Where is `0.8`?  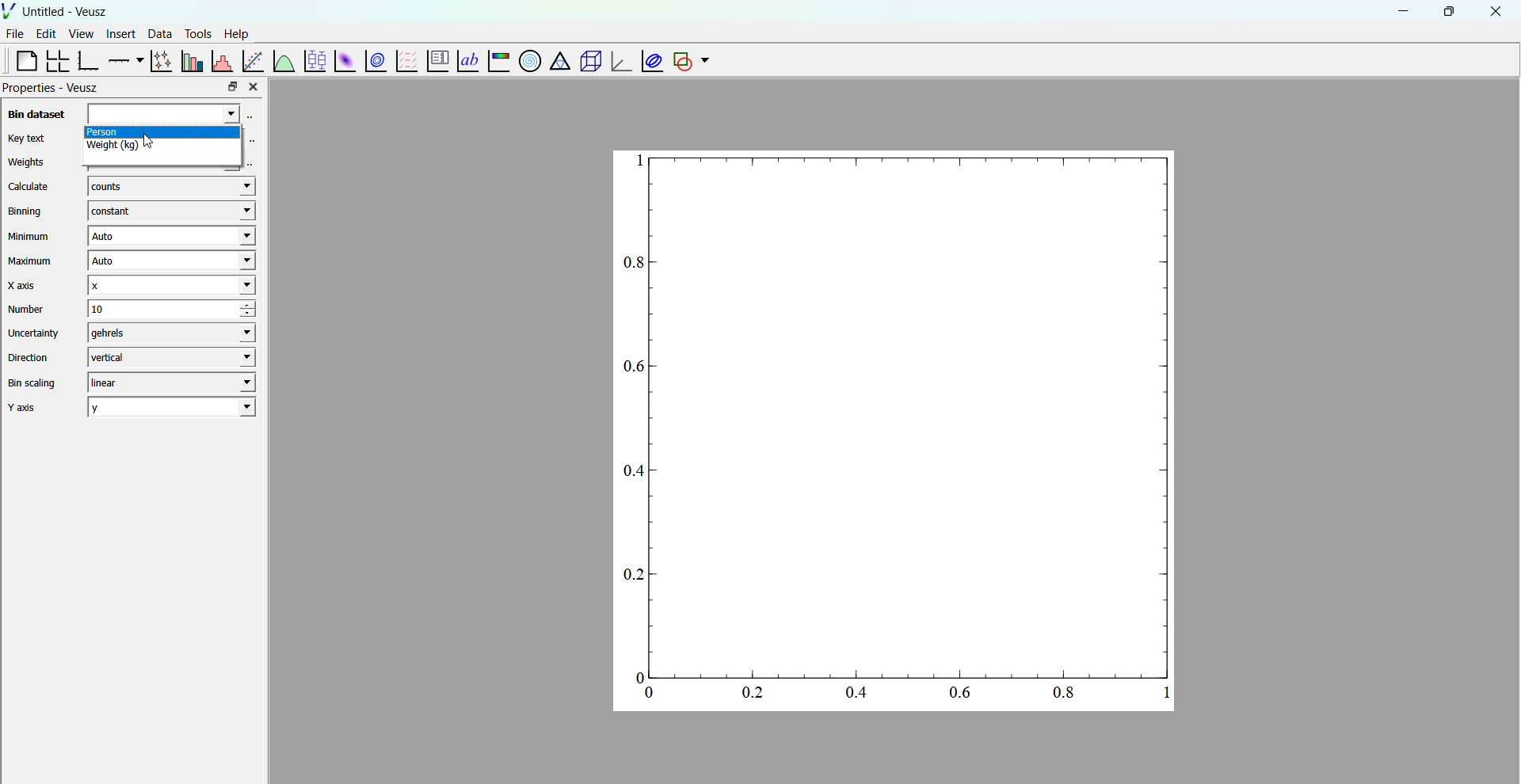 0.8 is located at coordinates (632, 263).